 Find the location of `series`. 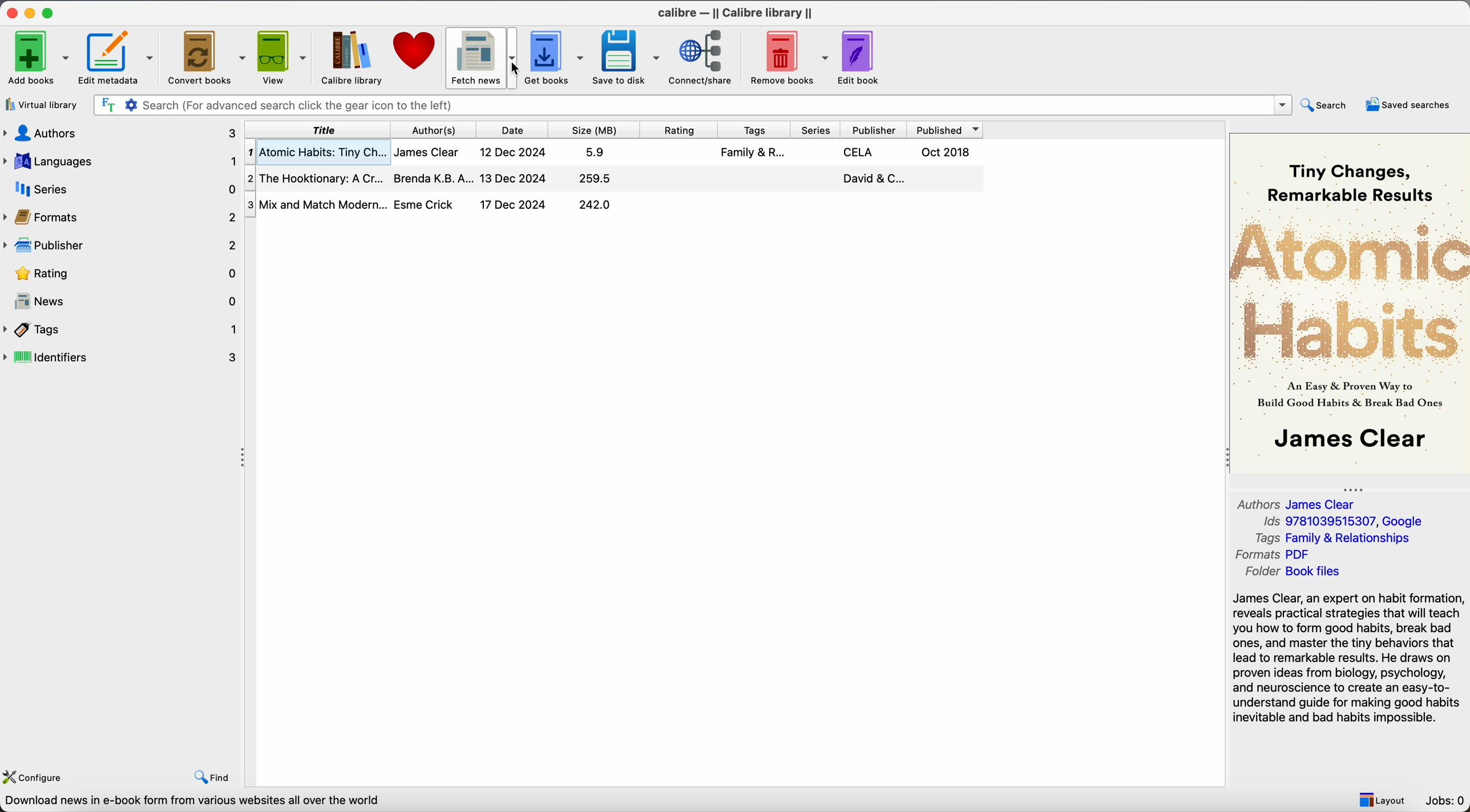

series is located at coordinates (818, 130).